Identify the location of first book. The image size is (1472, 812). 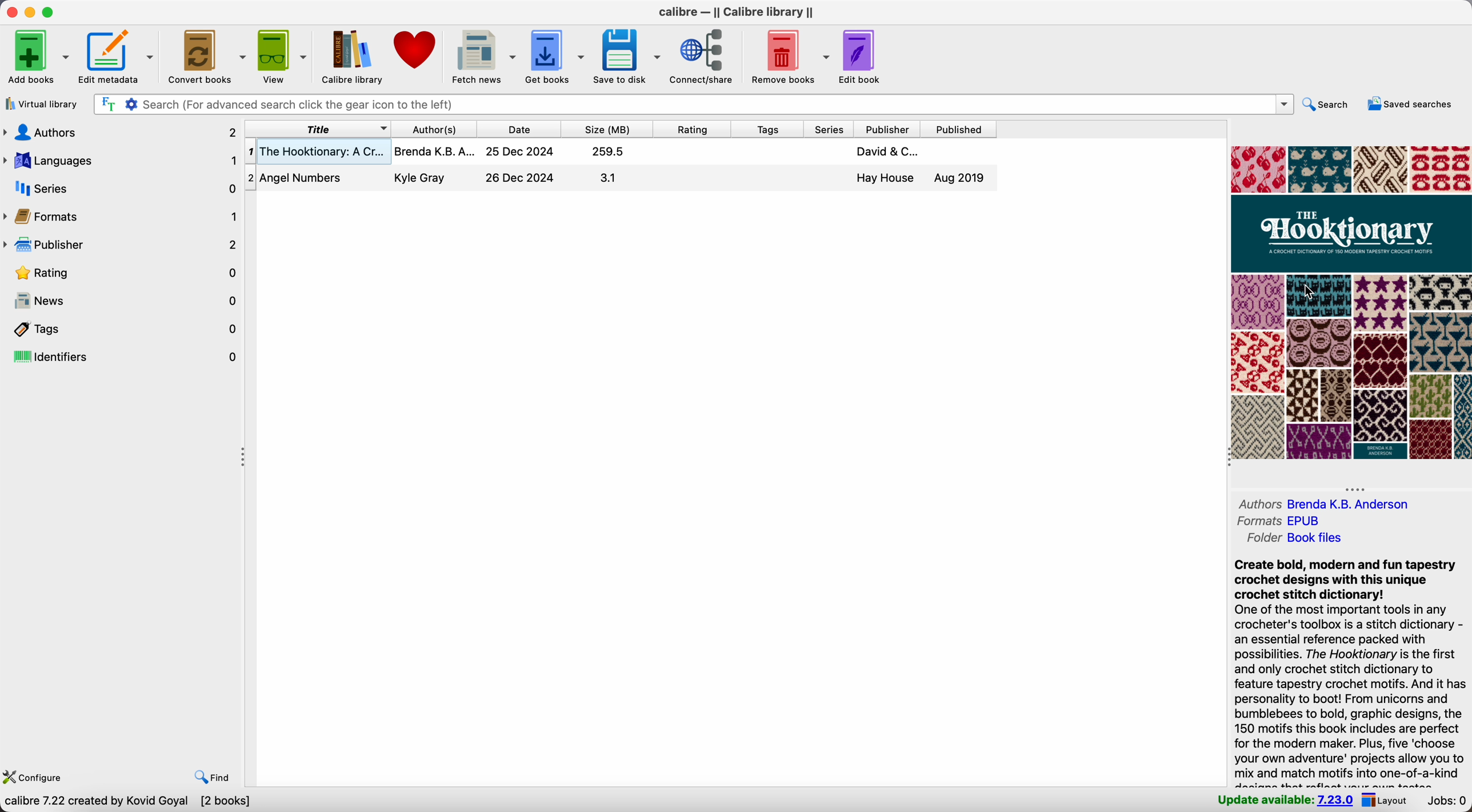
(620, 154).